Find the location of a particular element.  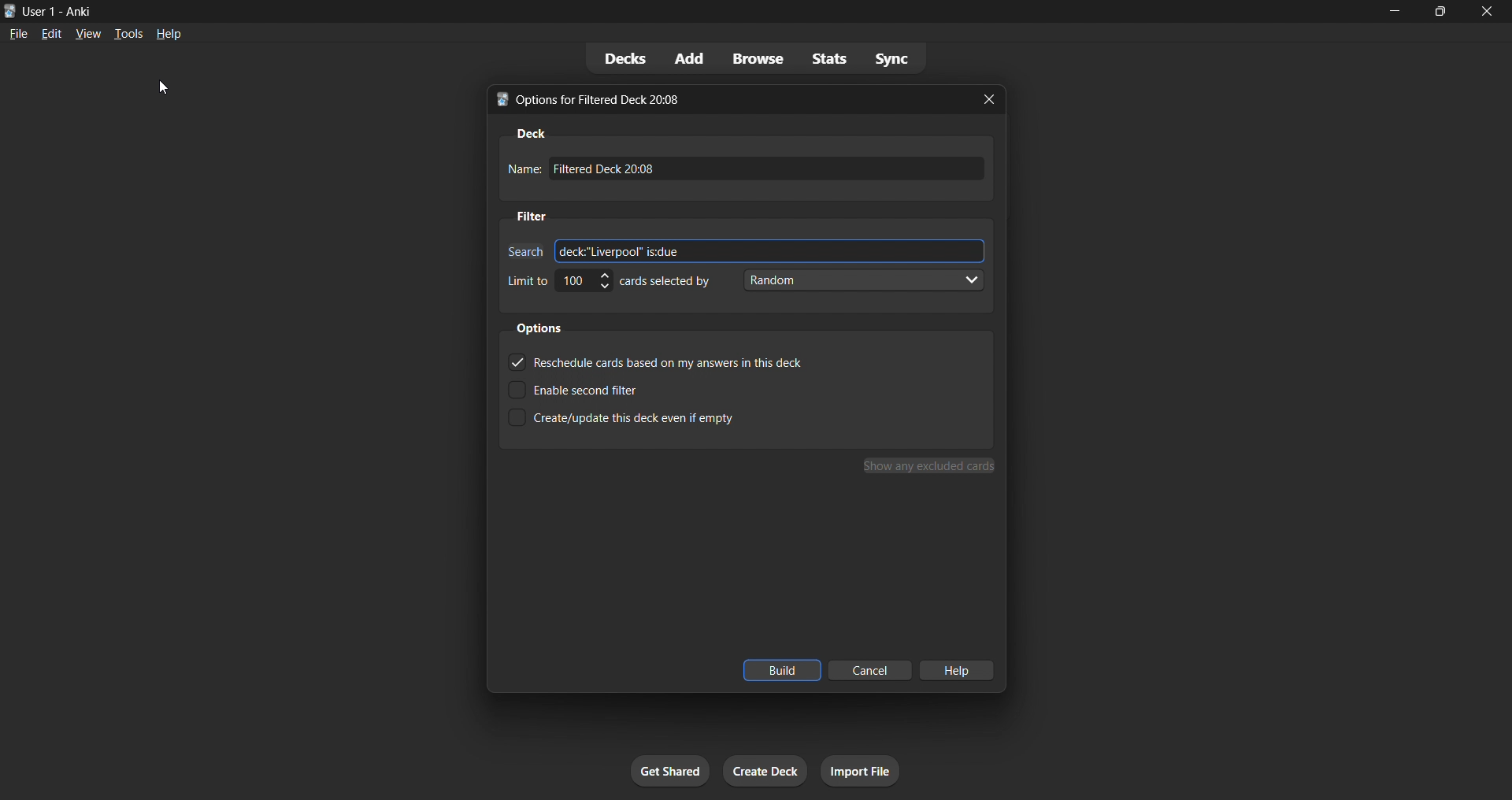

maximize/restore is located at coordinates (1441, 10).